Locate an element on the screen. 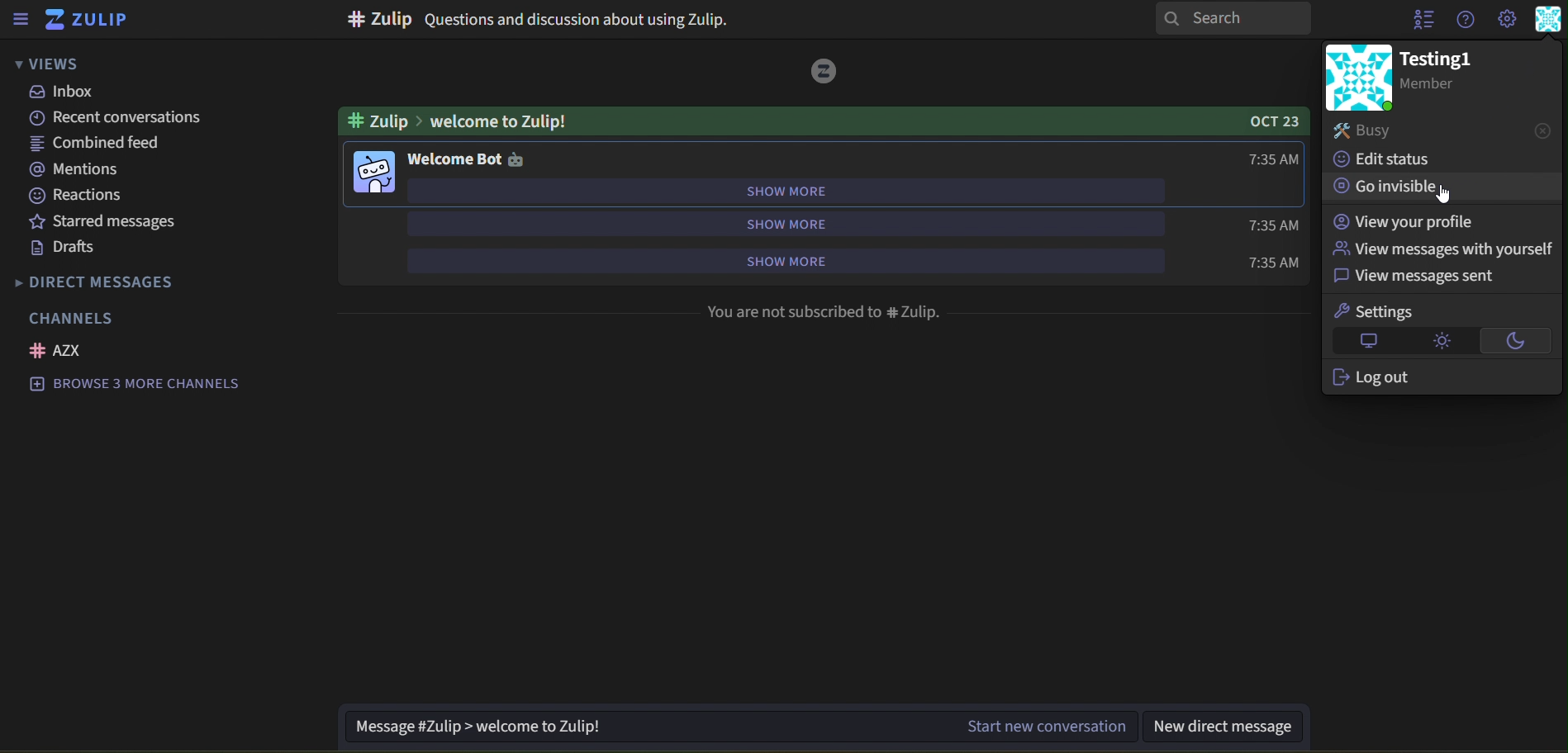 The image size is (1568, 753). start new conversation is located at coordinates (741, 727).